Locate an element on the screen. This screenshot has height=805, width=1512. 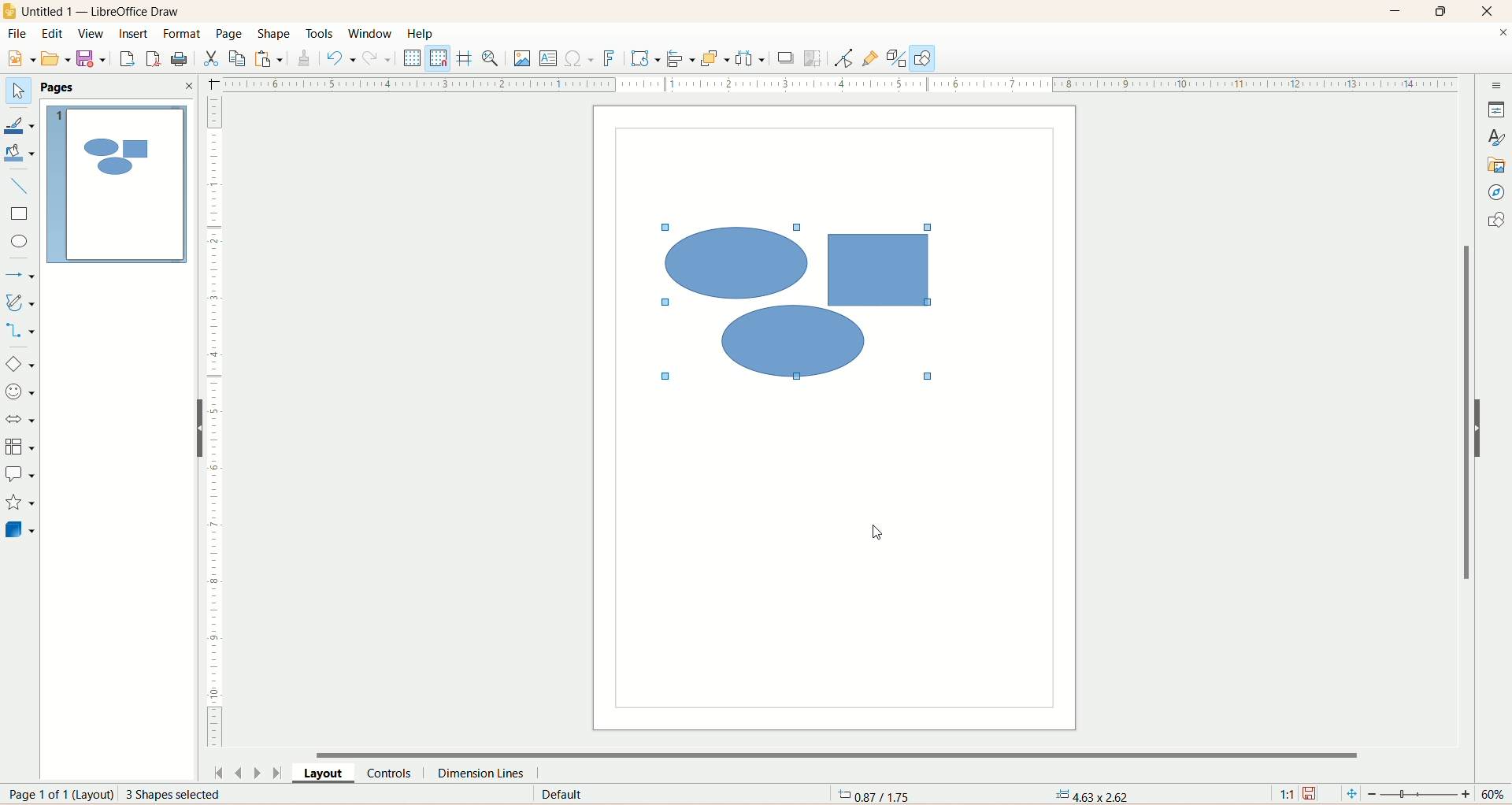
hide is located at coordinates (199, 428).